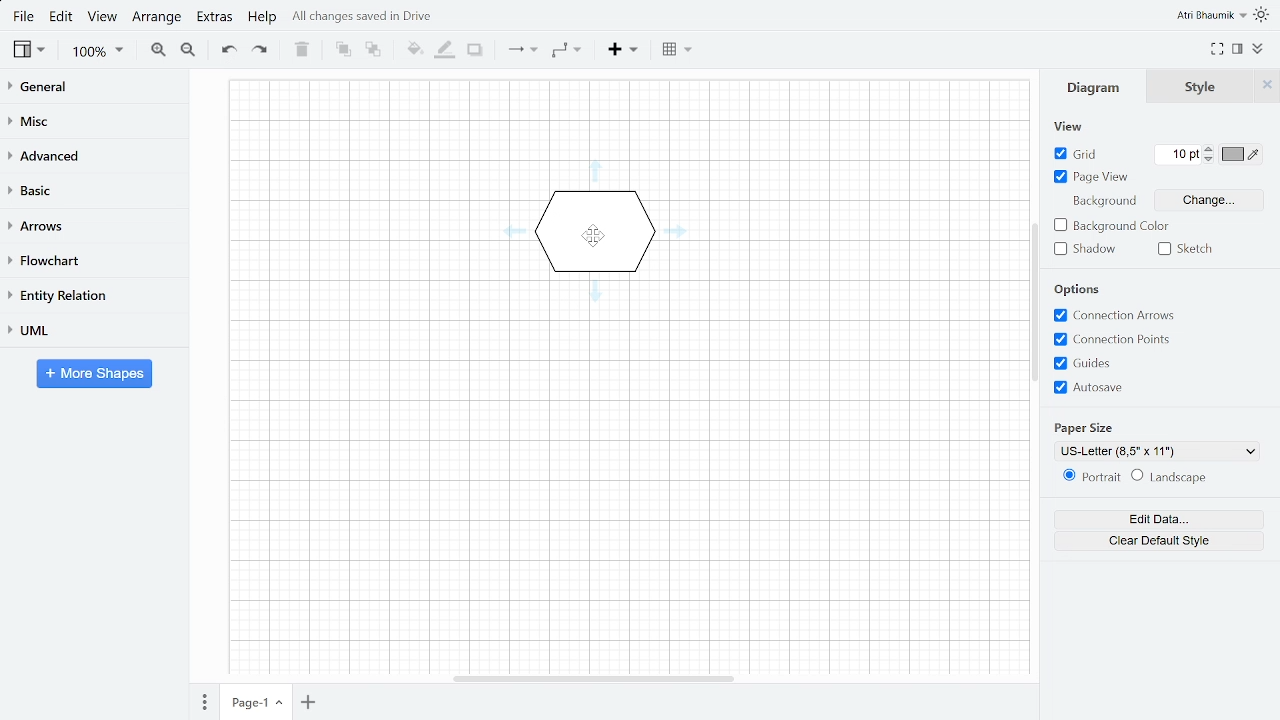 The height and width of the screenshot is (720, 1280). I want to click on Background colour, so click(1111, 226).